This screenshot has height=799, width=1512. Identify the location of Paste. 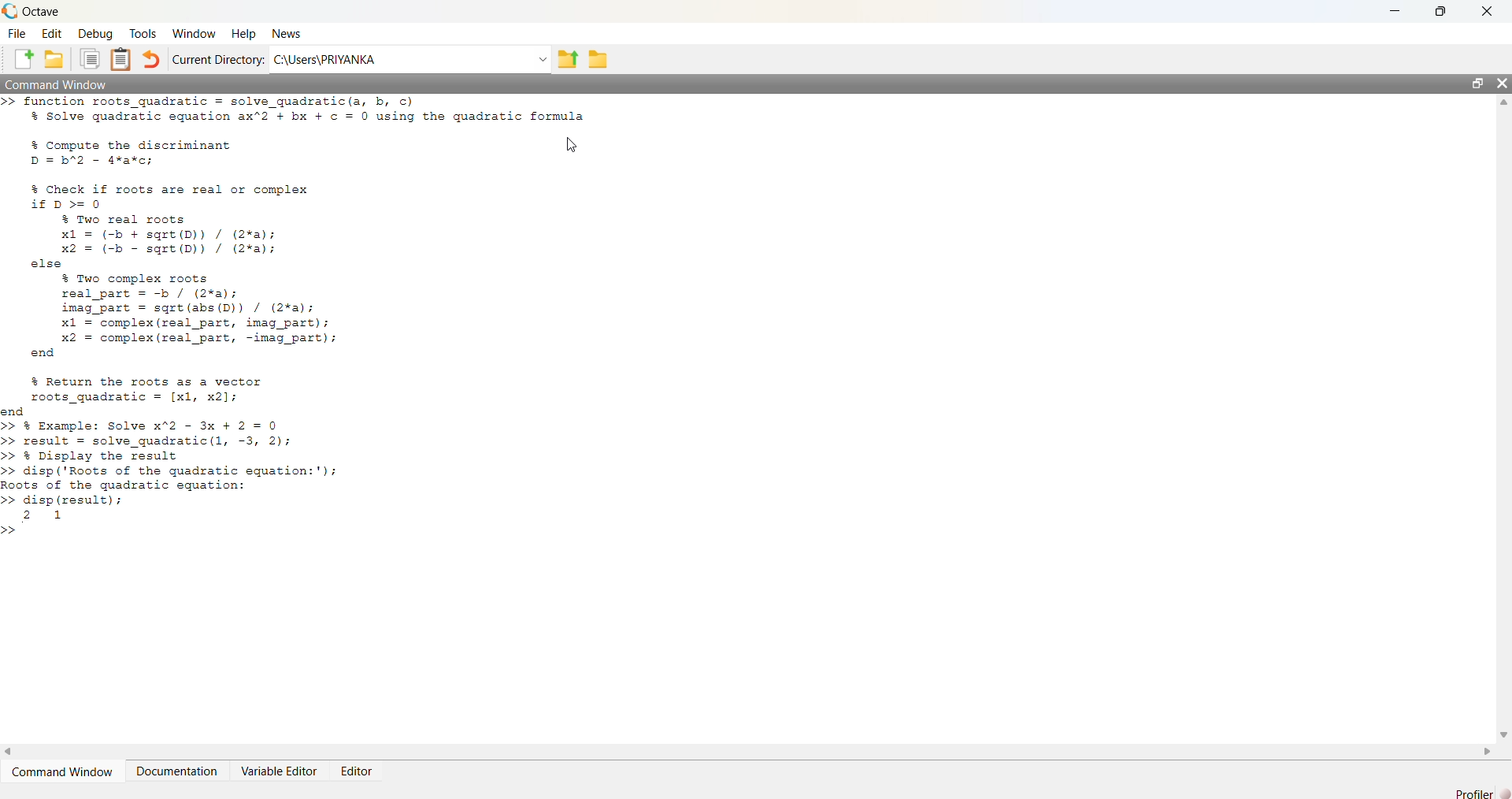
(123, 59).